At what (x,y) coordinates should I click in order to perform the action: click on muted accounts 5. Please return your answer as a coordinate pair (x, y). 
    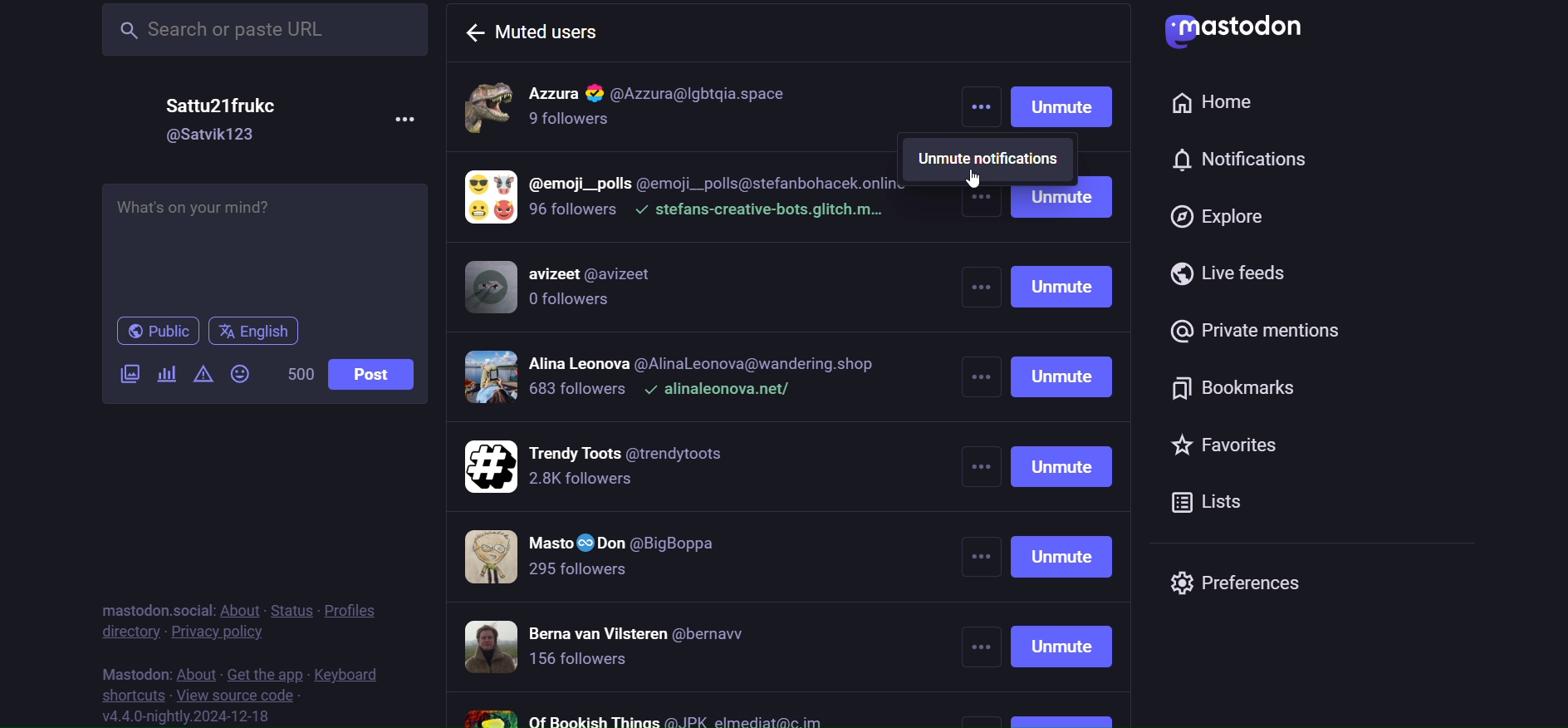
    Looking at the image, I should click on (618, 470).